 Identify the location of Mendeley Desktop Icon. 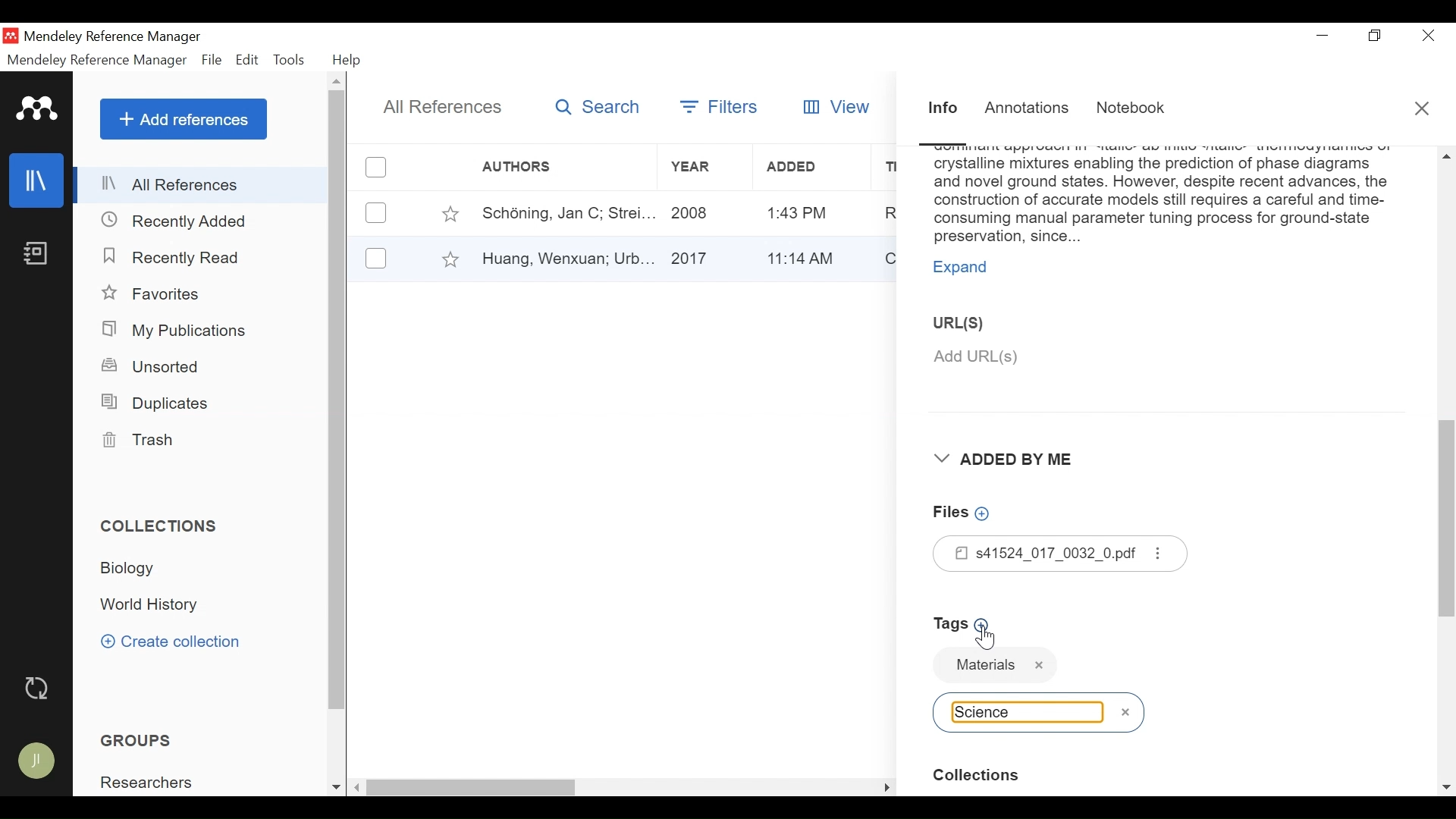
(10, 36).